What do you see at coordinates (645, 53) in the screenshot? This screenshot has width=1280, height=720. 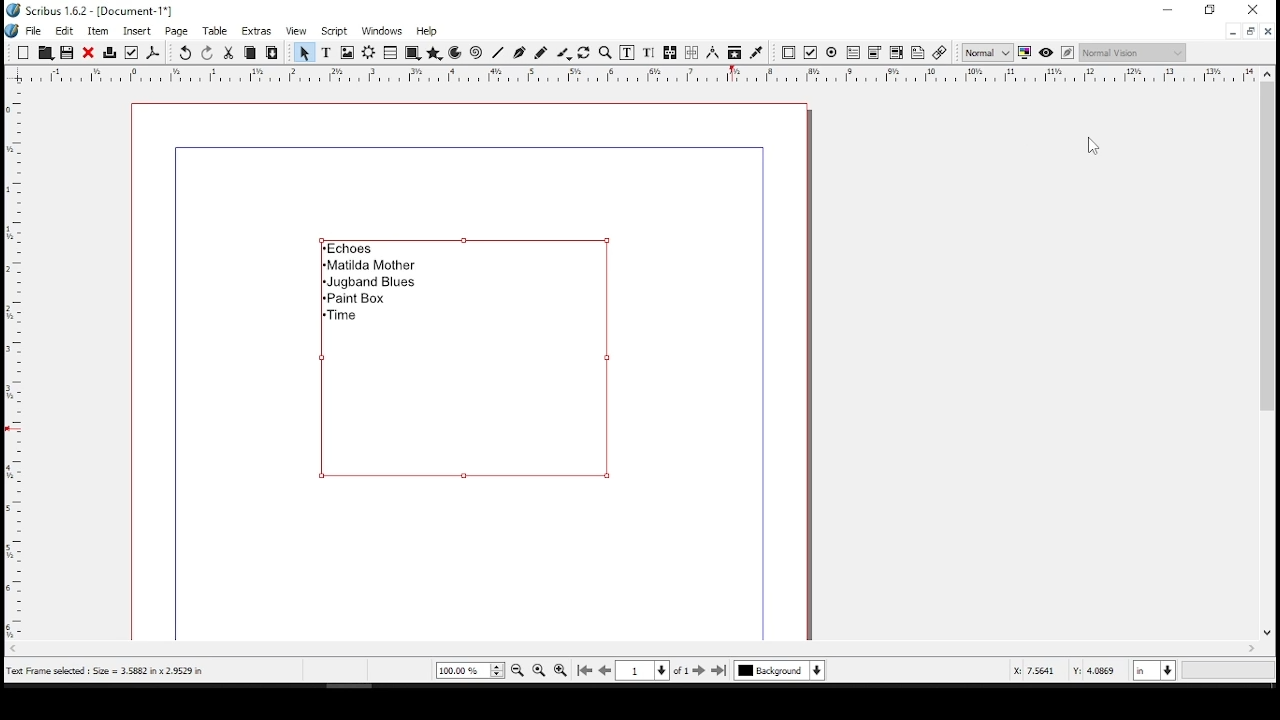 I see `edit text with story editor` at bounding box center [645, 53].